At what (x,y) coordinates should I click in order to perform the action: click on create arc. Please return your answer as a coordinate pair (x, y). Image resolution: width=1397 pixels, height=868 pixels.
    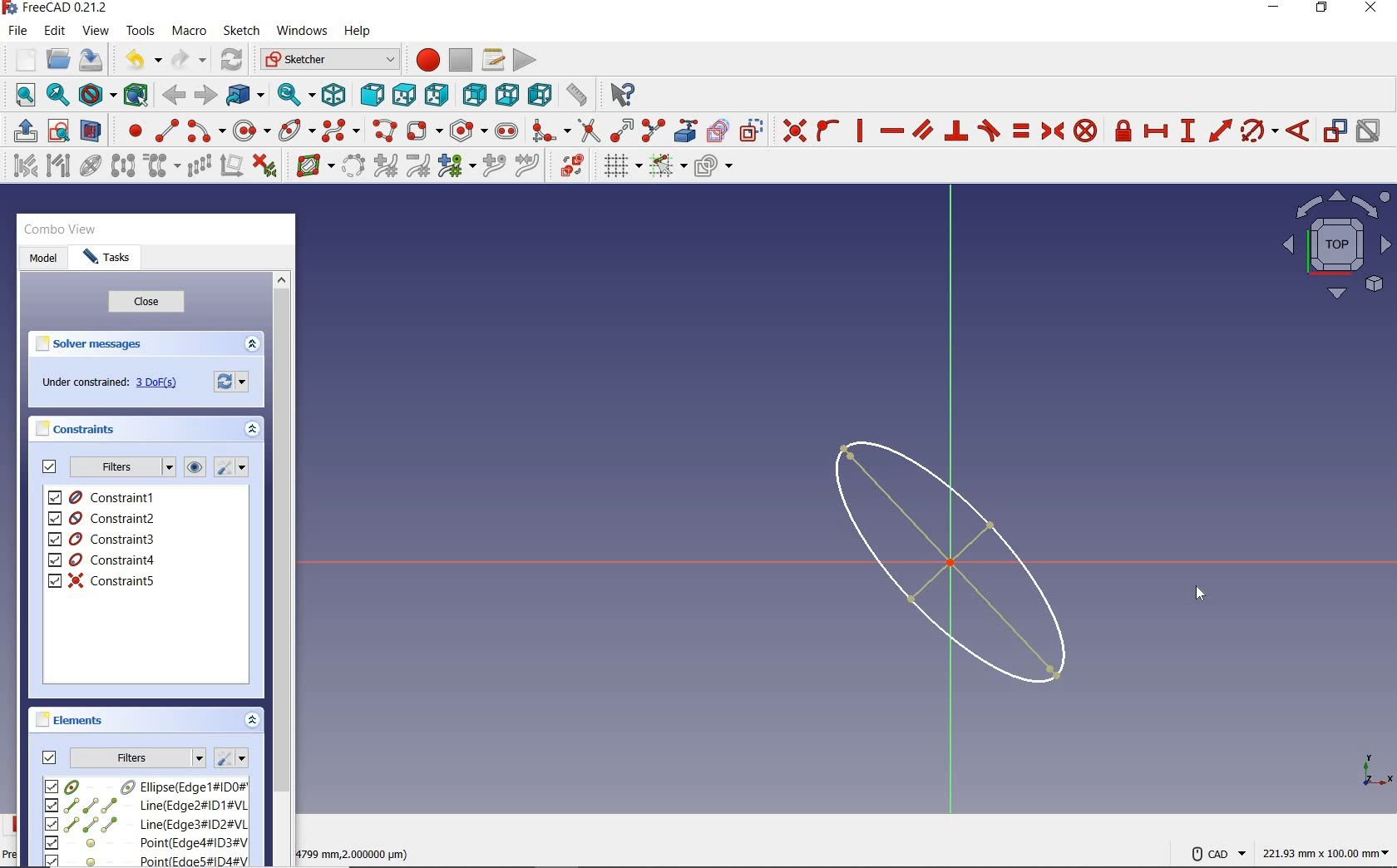
    Looking at the image, I should click on (206, 129).